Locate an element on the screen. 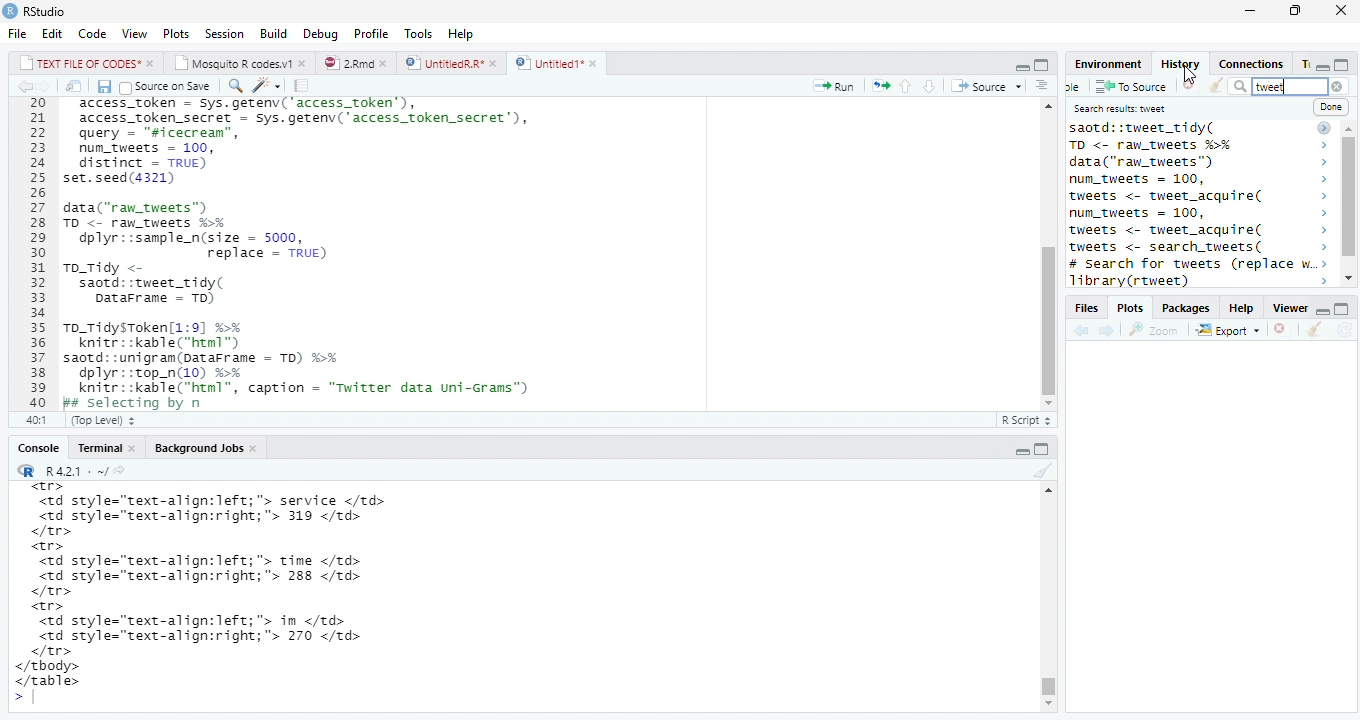  scrollbar is located at coordinates (1047, 250).